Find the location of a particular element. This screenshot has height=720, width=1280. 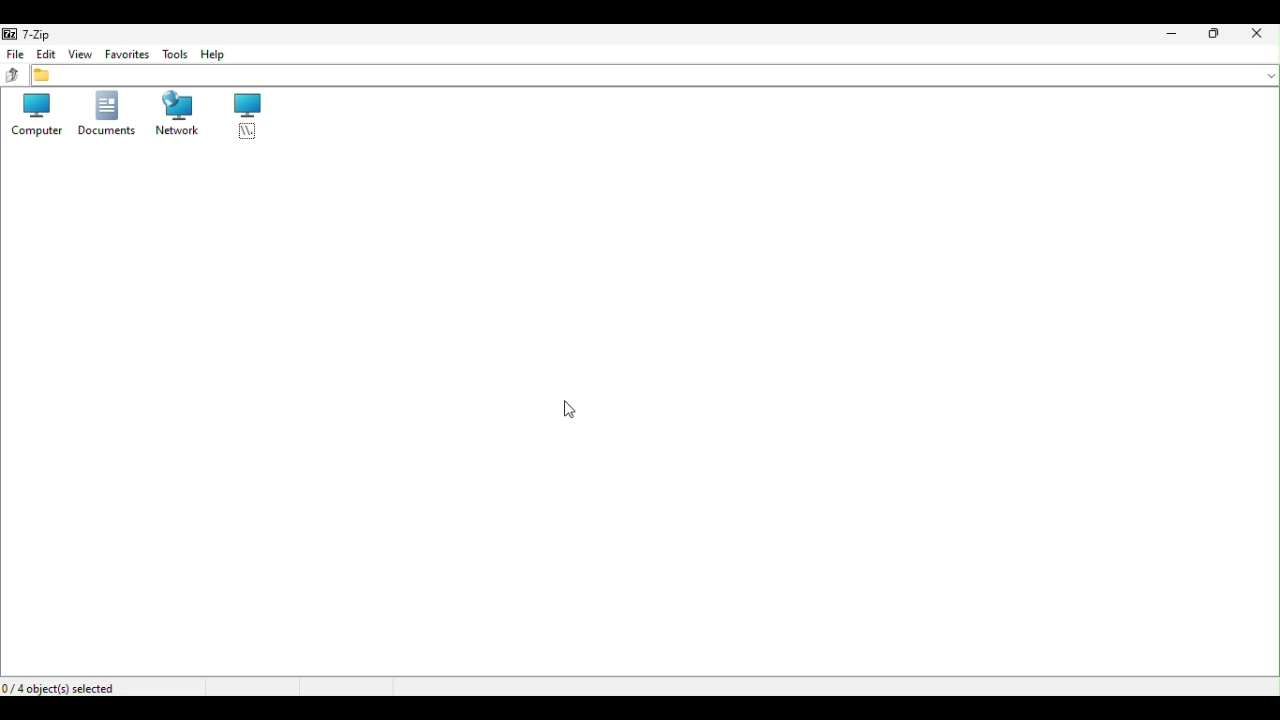

Edit is located at coordinates (47, 55).